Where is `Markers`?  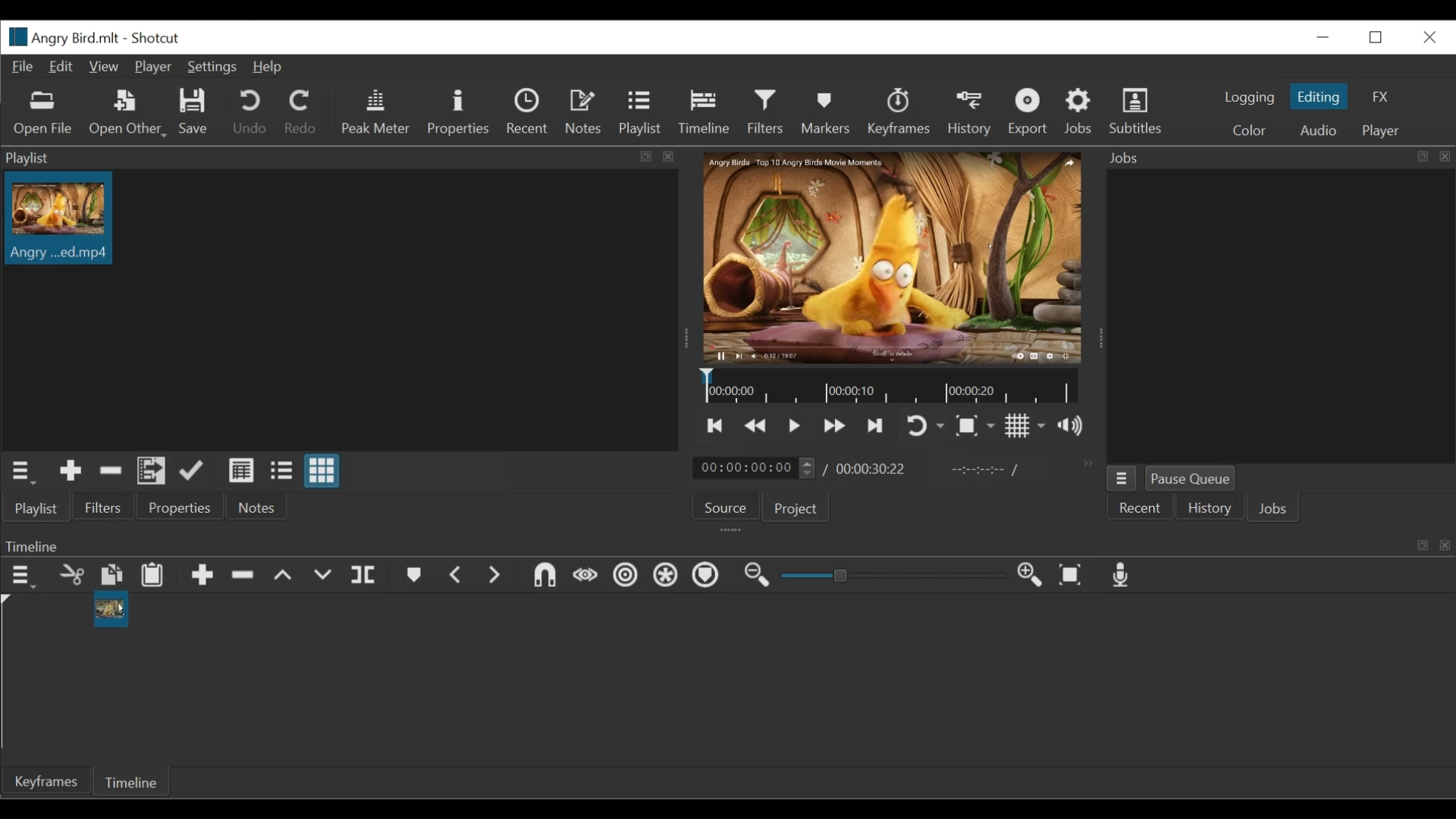 Markers is located at coordinates (412, 576).